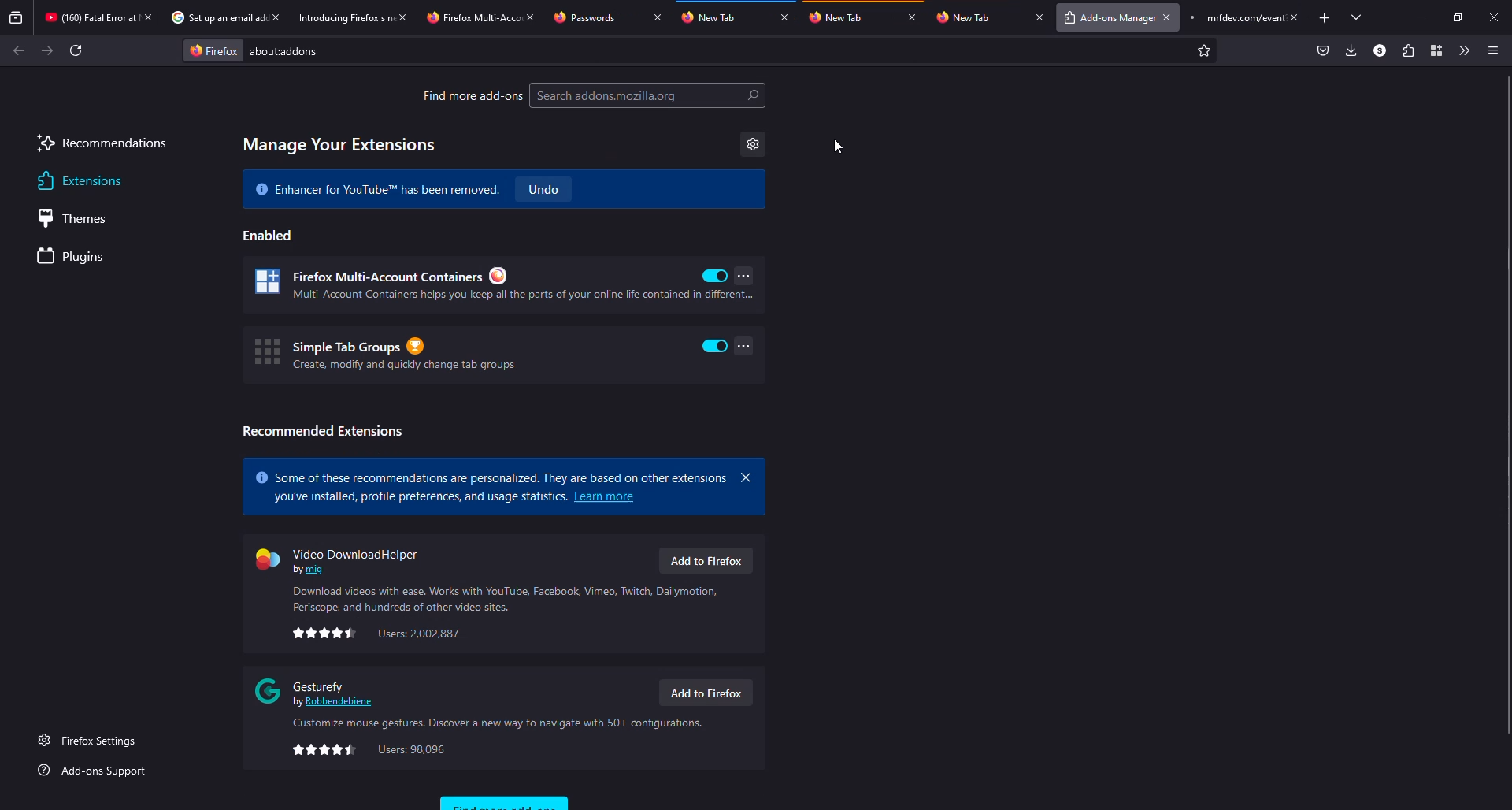  Describe the element at coordinates (47, 50) in the screenshot. I see `forward` at that location.